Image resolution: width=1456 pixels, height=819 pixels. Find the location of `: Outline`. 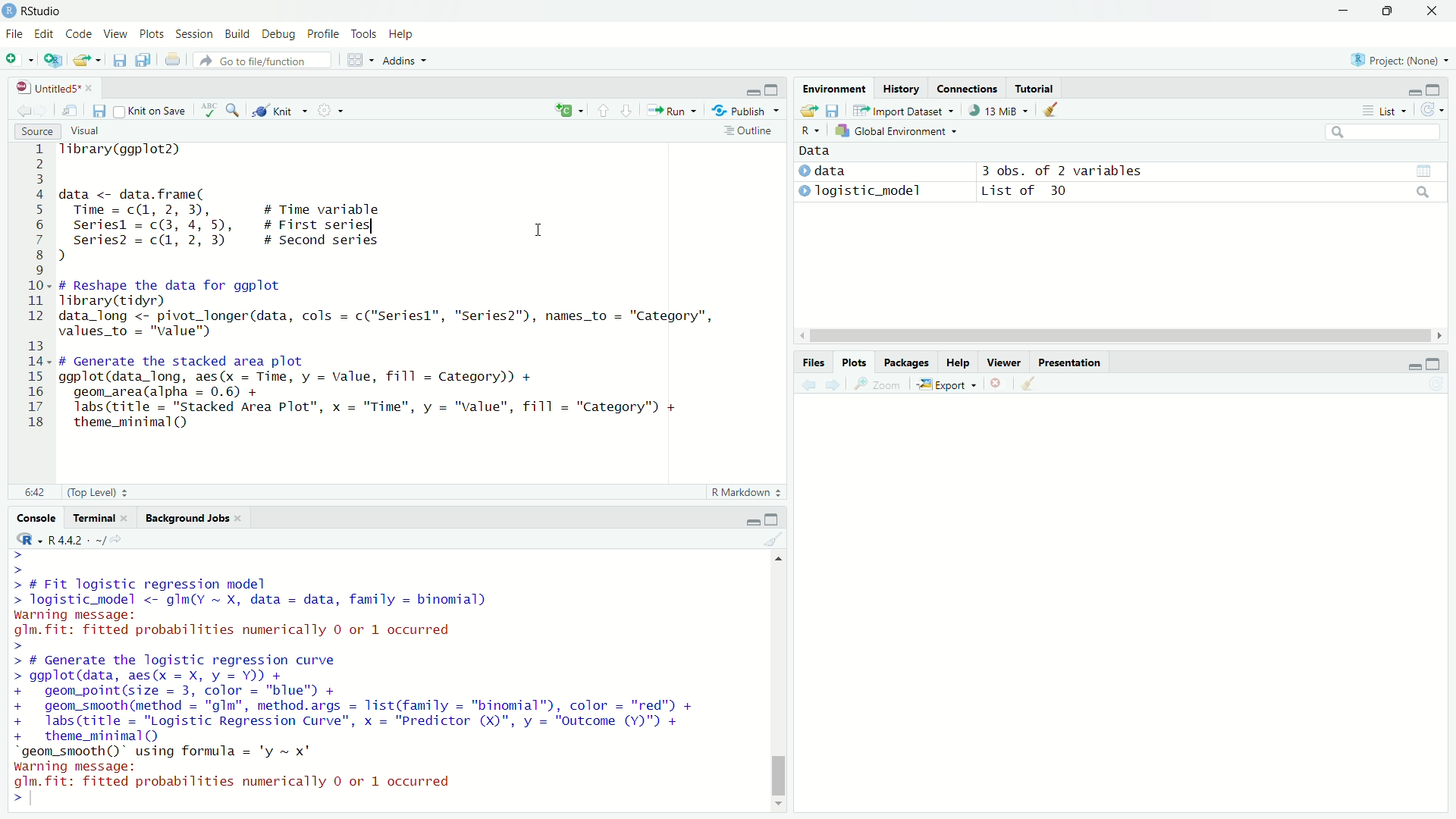

: Outline is located at coordinates (755, 132).